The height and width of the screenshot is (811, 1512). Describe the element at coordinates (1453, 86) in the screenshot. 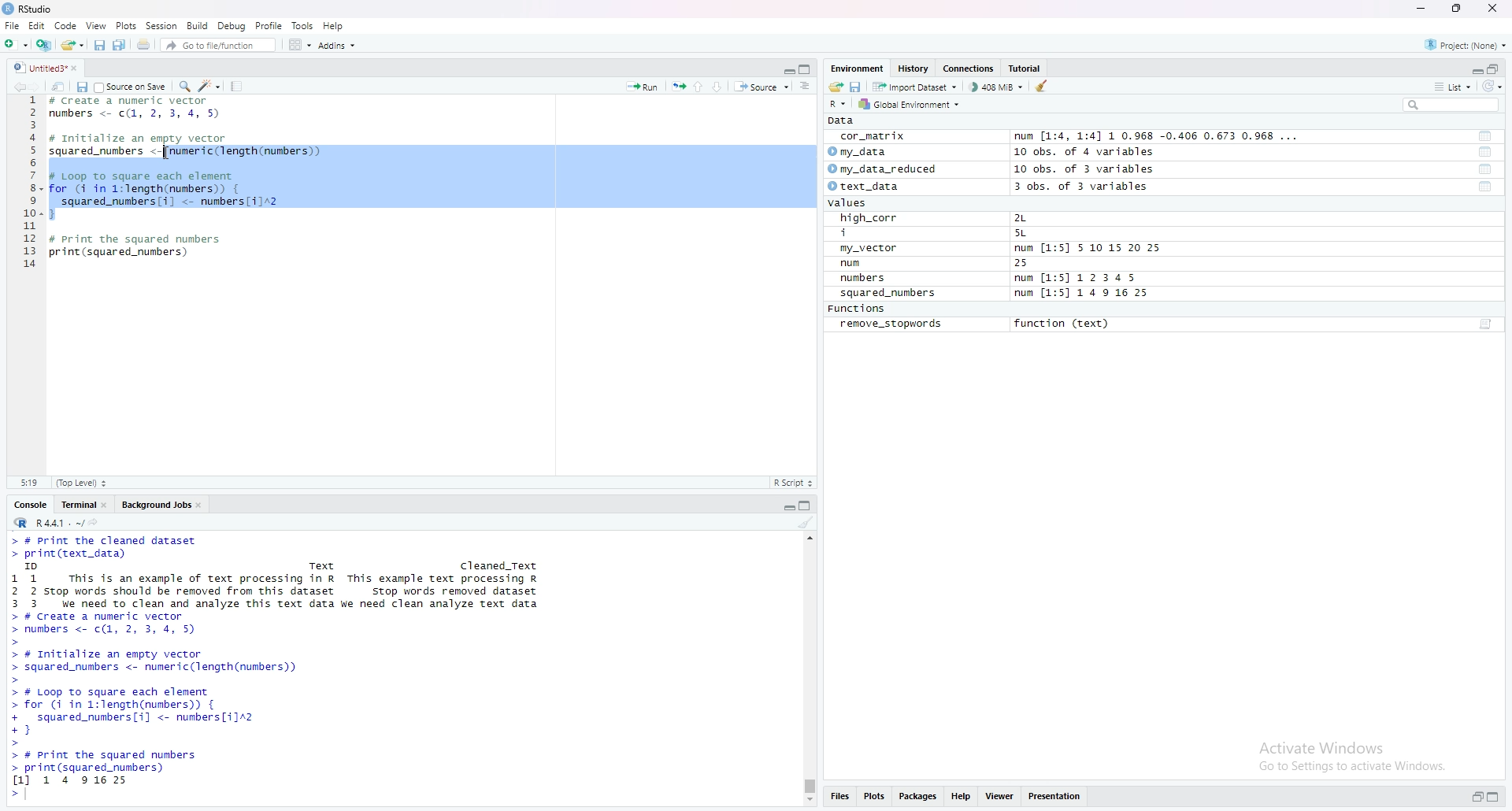

I see `List` at that location.